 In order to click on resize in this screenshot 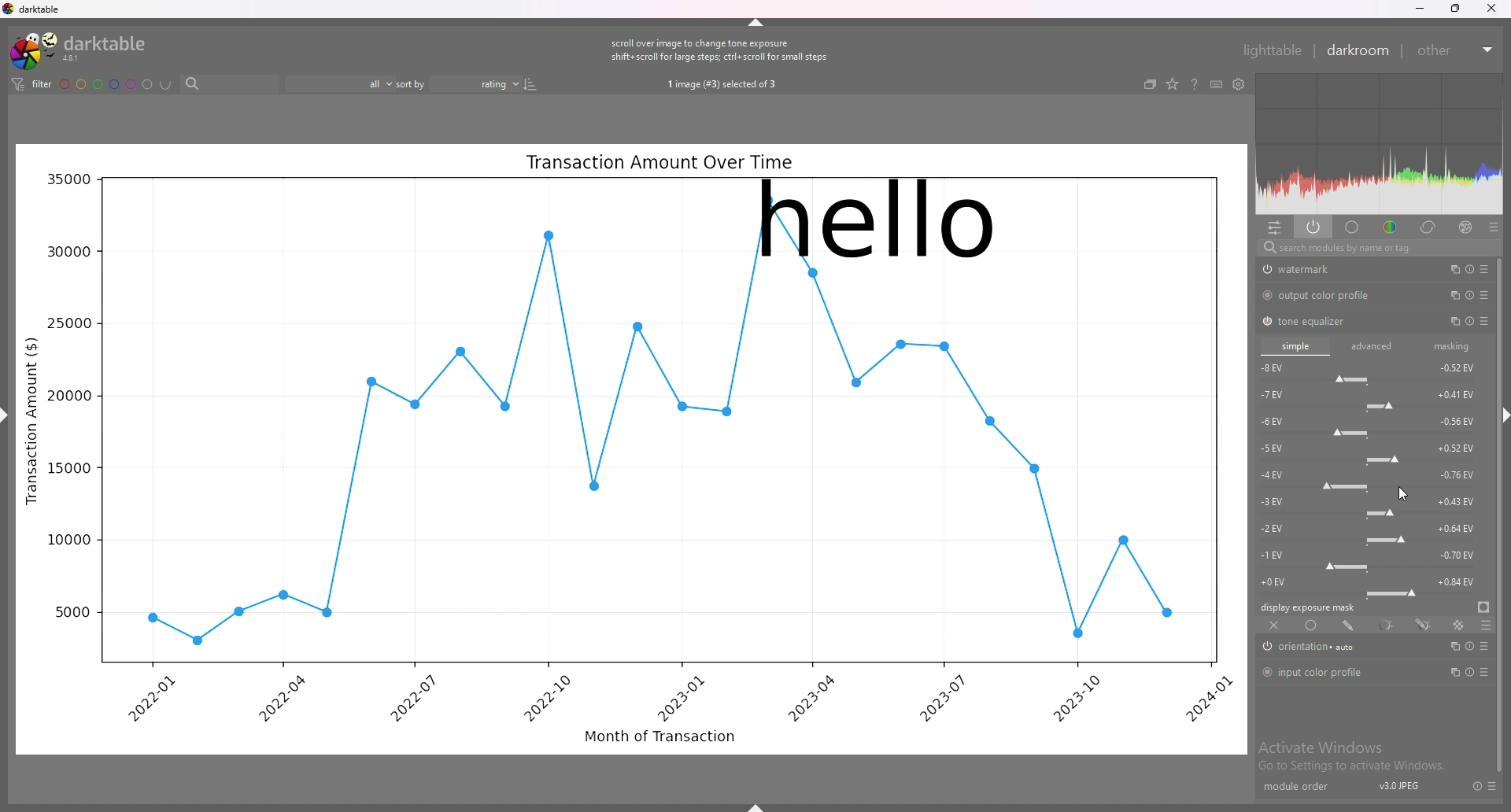, I will do `click(1454, 9)`.